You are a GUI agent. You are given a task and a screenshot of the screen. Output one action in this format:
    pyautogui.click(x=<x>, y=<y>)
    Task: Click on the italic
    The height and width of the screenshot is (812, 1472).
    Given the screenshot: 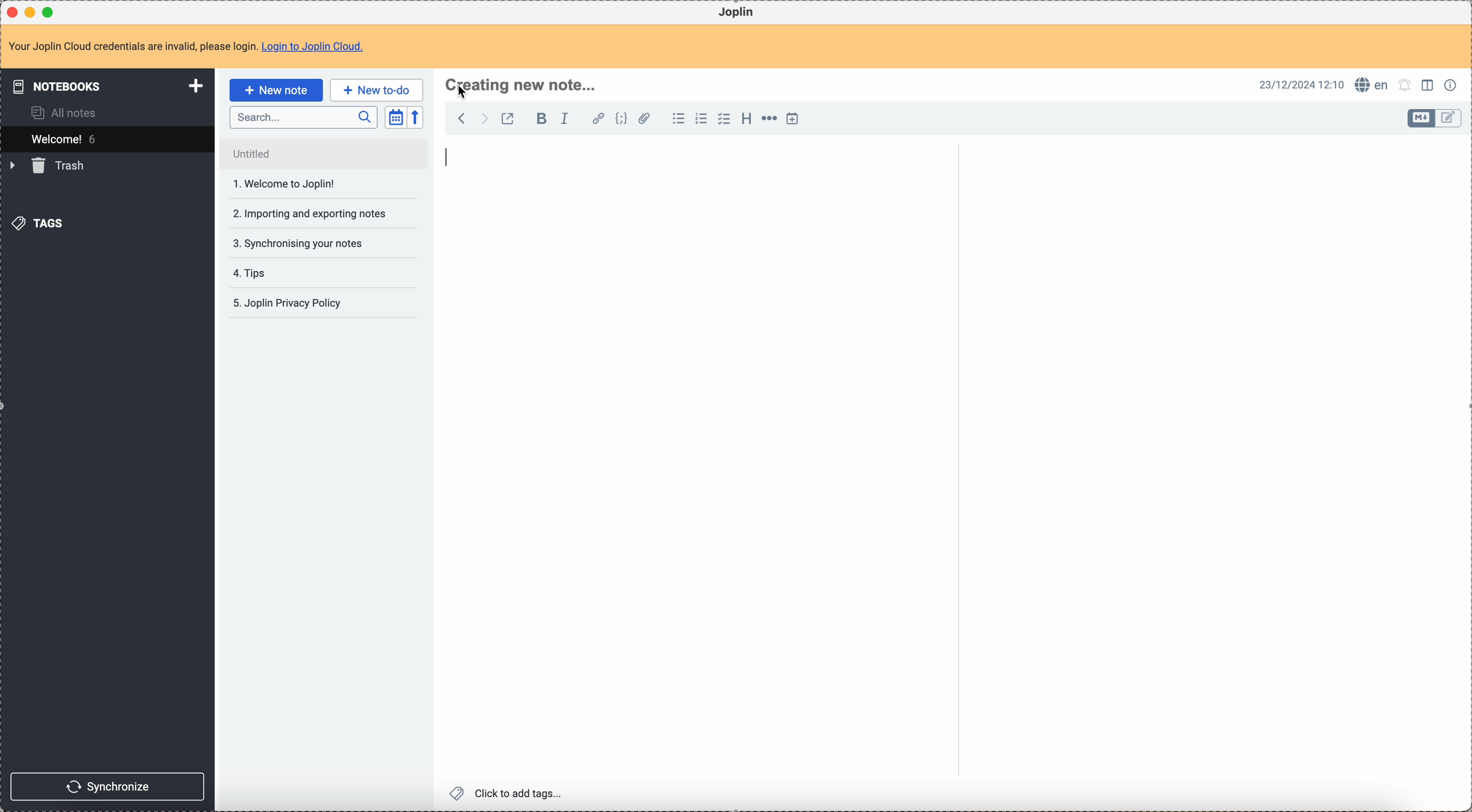 What is the action you would take?
    pyautogui.click(x=570, y=119)
    